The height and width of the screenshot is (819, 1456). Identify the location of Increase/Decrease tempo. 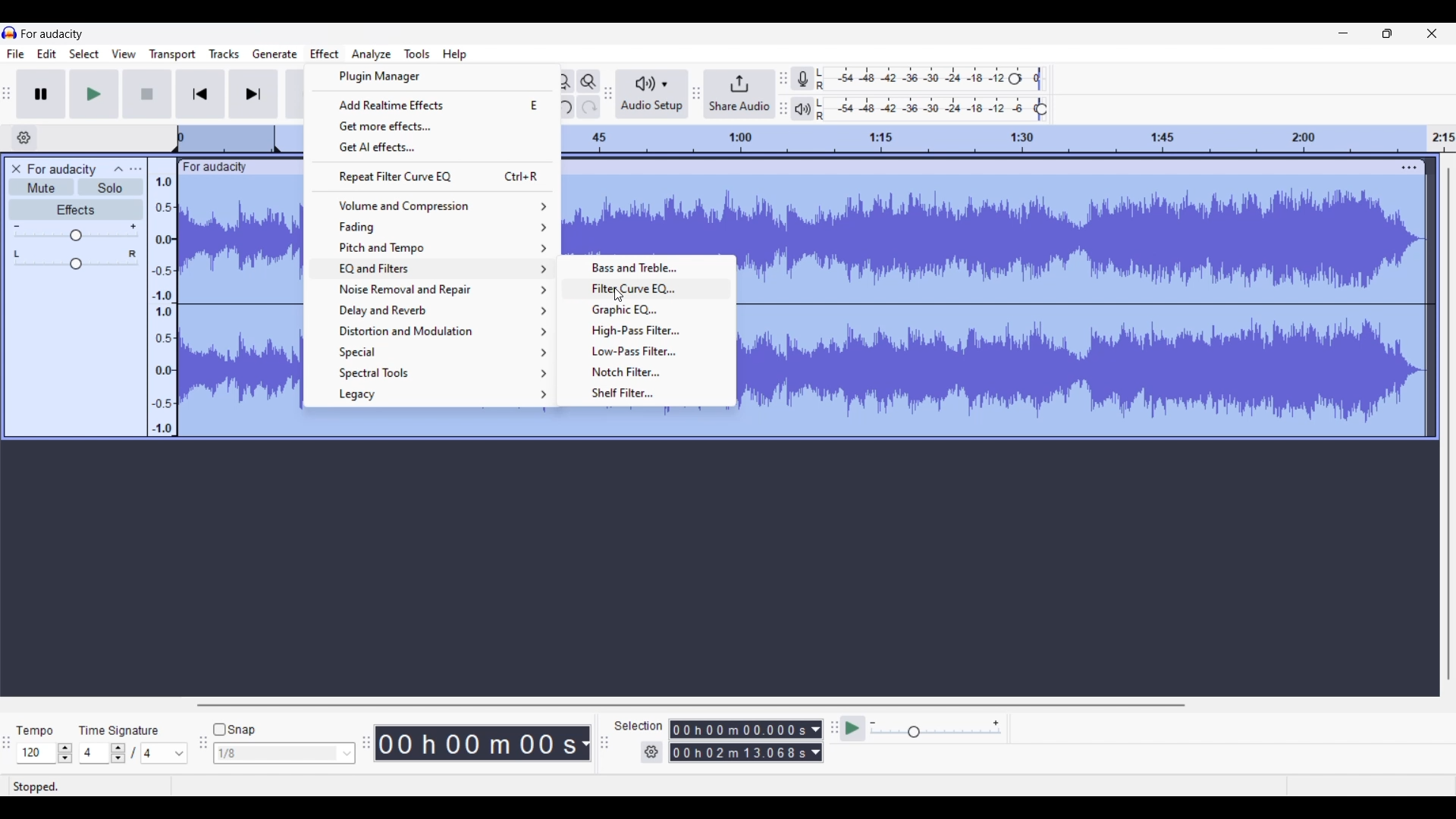
(65, 753).